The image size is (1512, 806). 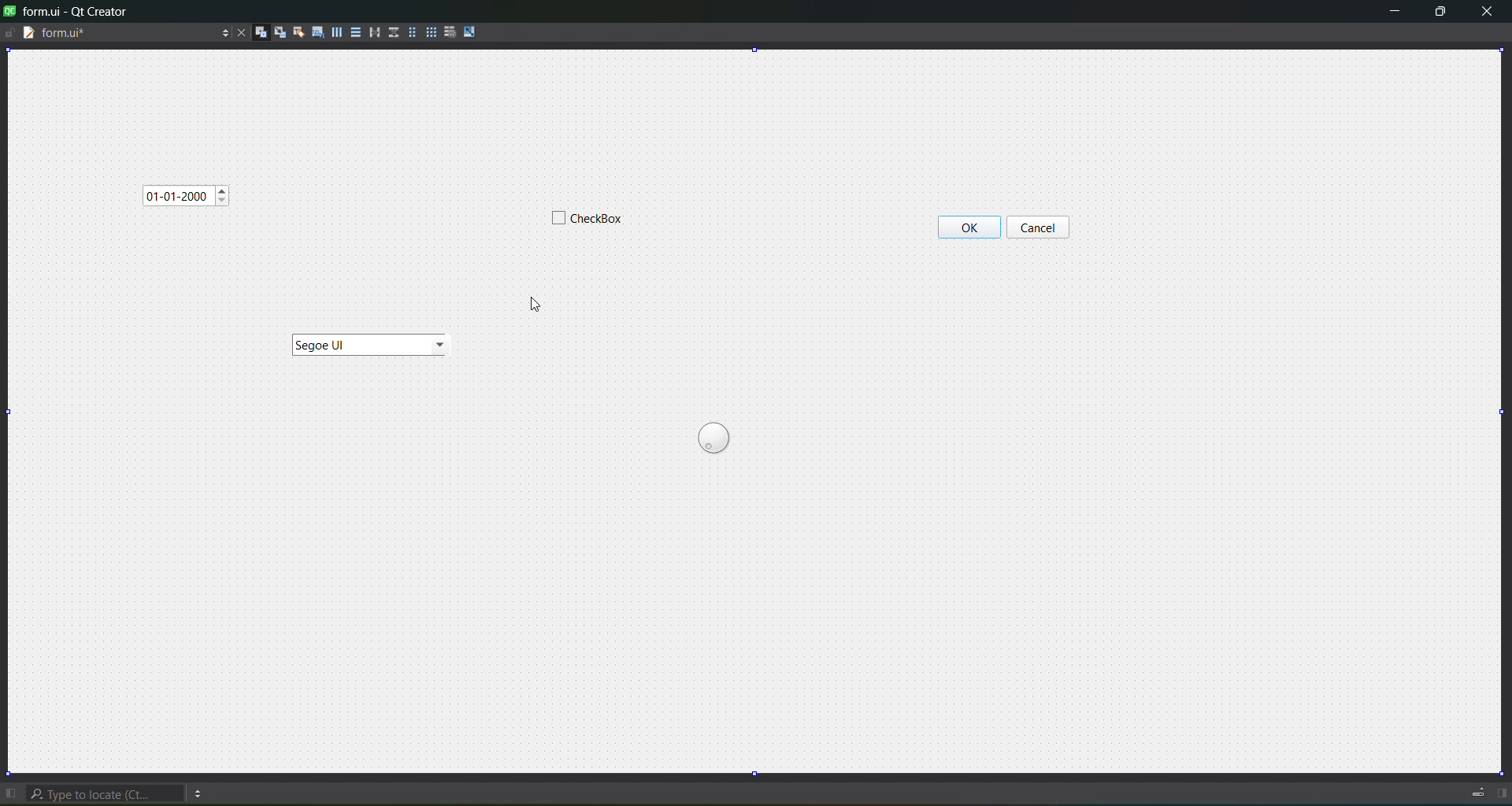 What do you see at coordinates (1486, 12) in the screenshot?
I see `Close` at bounding box center [1486, 12].